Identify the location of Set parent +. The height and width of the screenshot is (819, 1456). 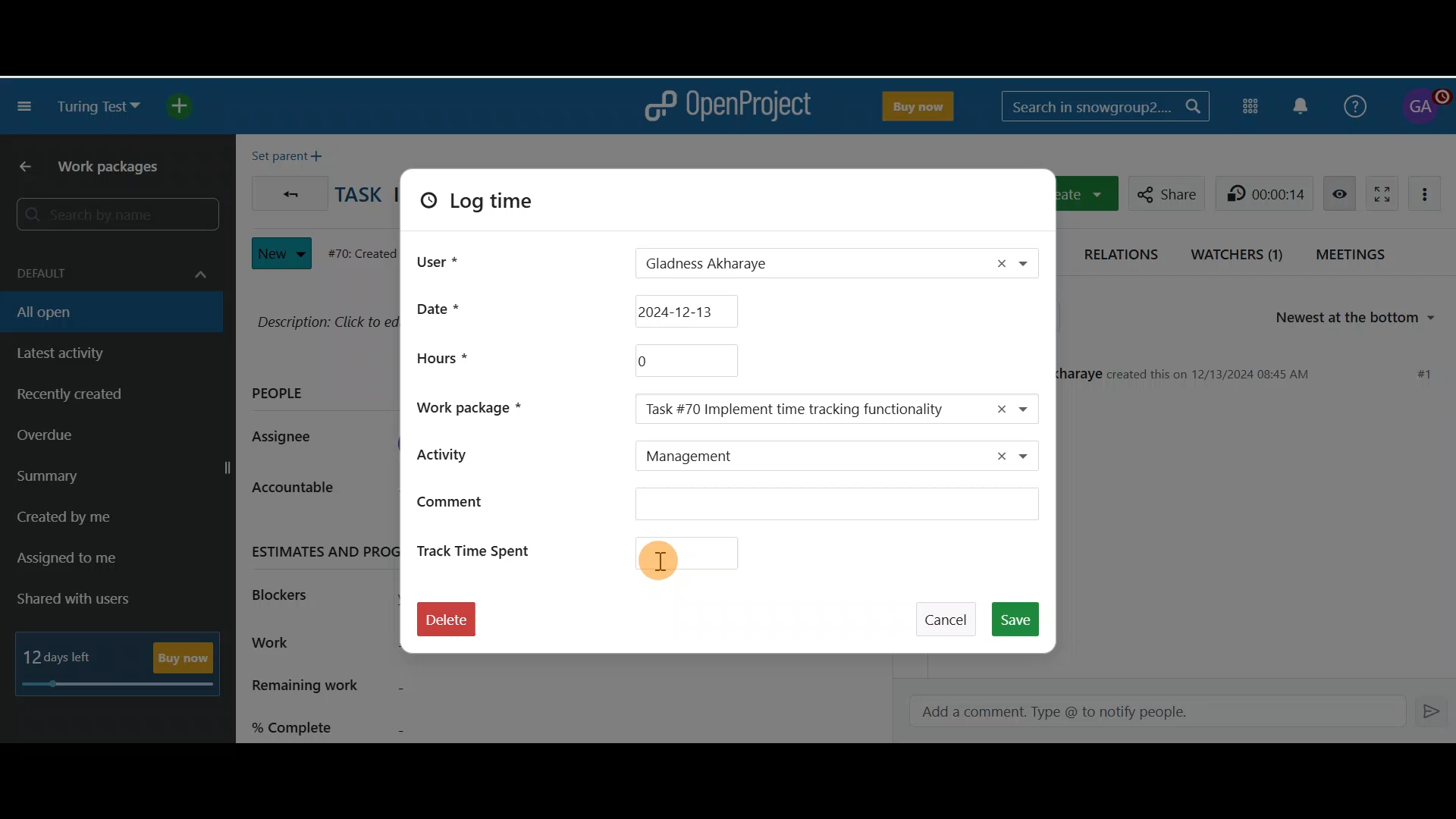
(291, 152).